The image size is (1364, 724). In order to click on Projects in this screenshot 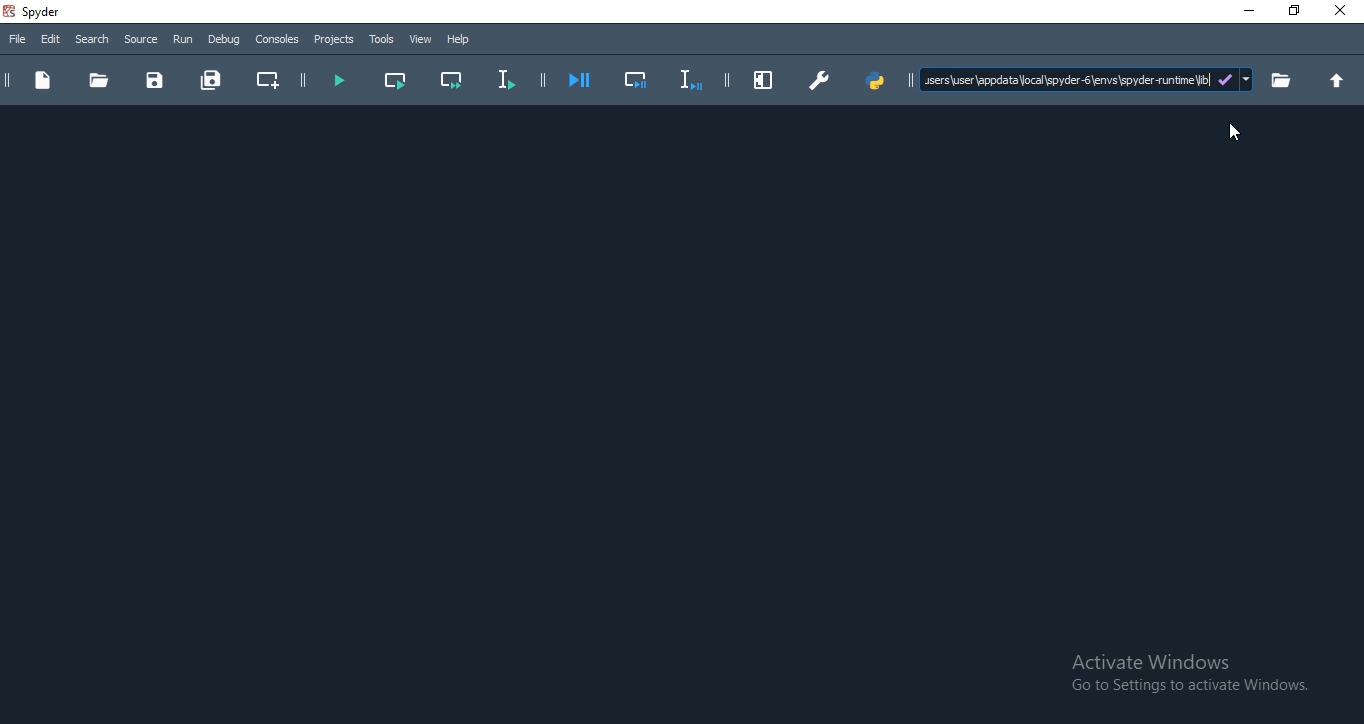, I will do `click(334, 40)`.